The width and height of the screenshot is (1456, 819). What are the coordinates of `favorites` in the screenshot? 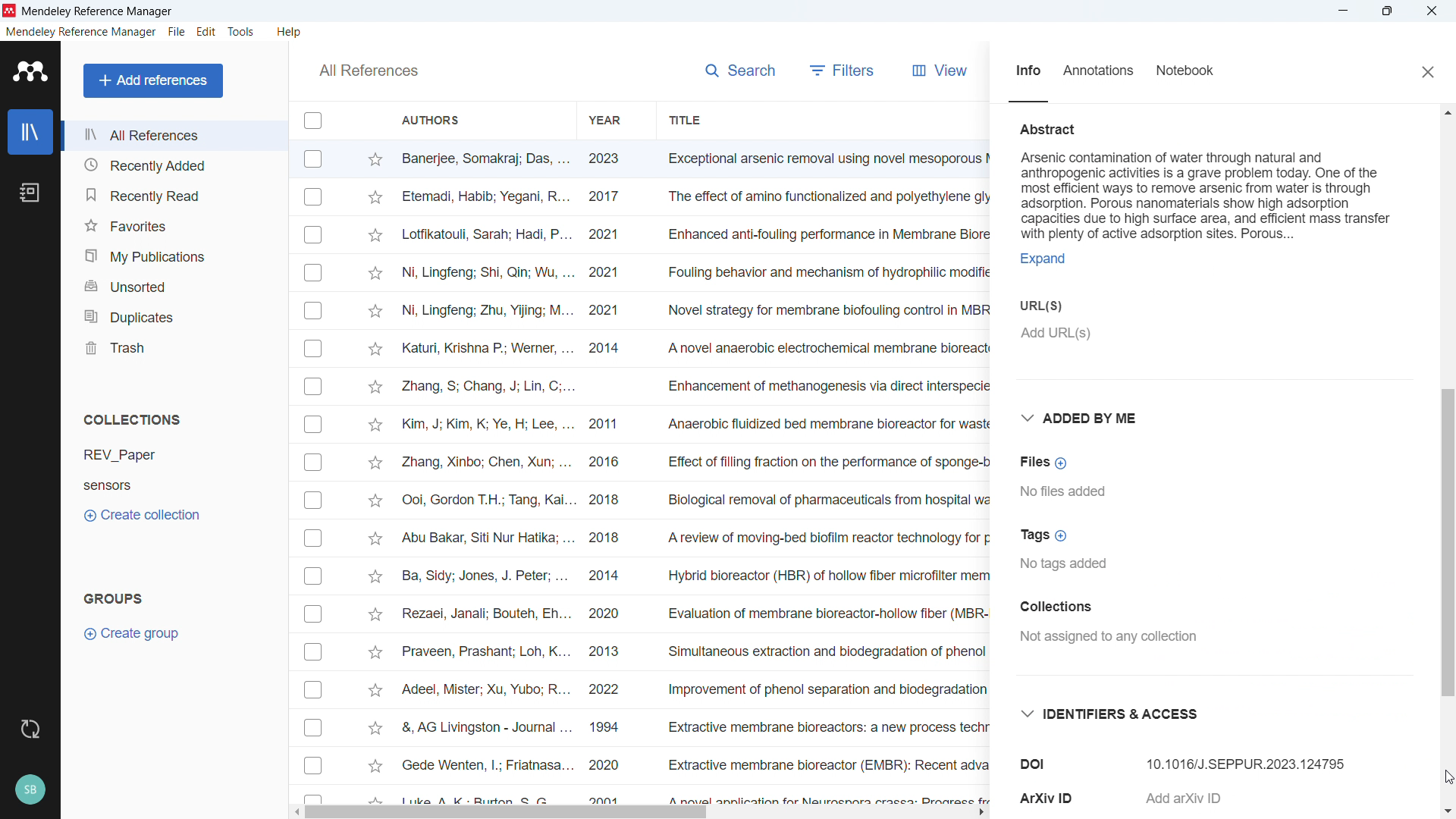 It's located at (173, 224).